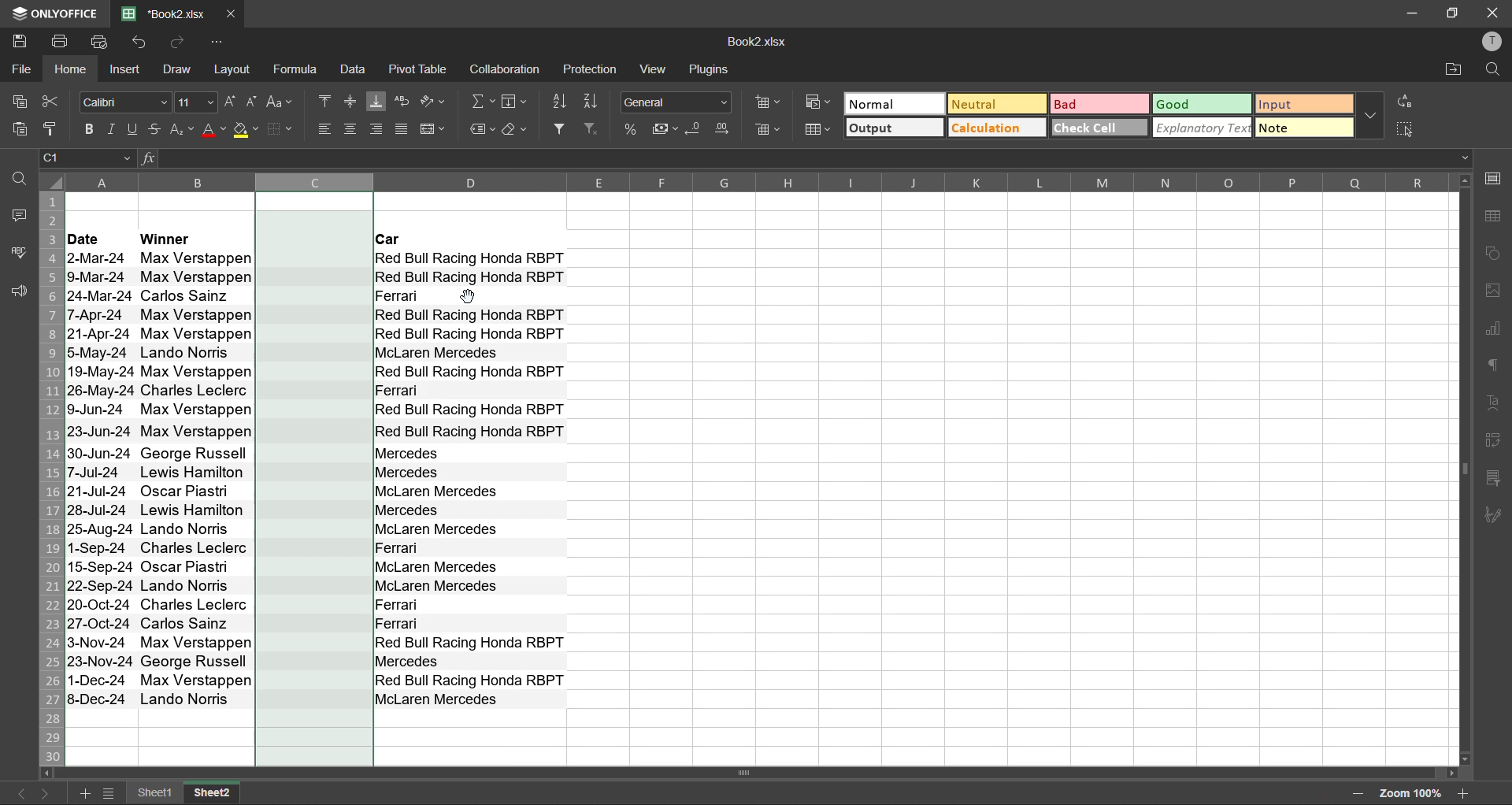 The image size is (1512, 805). I want to click on select all, so click(1406, 131).